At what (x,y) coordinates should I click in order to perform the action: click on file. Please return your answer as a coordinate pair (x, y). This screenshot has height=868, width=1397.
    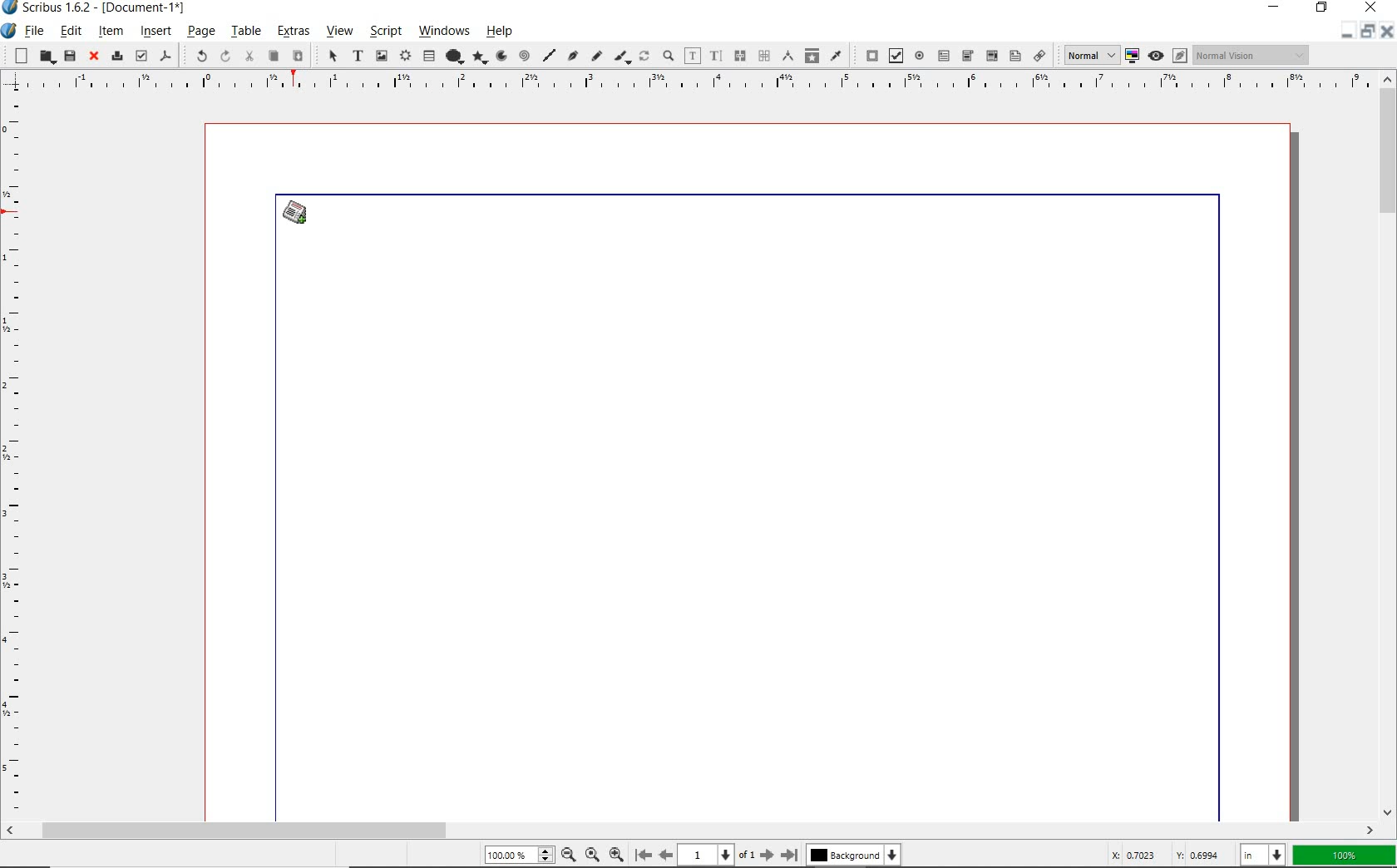
    Looking at the image, I should click on (37, 30).